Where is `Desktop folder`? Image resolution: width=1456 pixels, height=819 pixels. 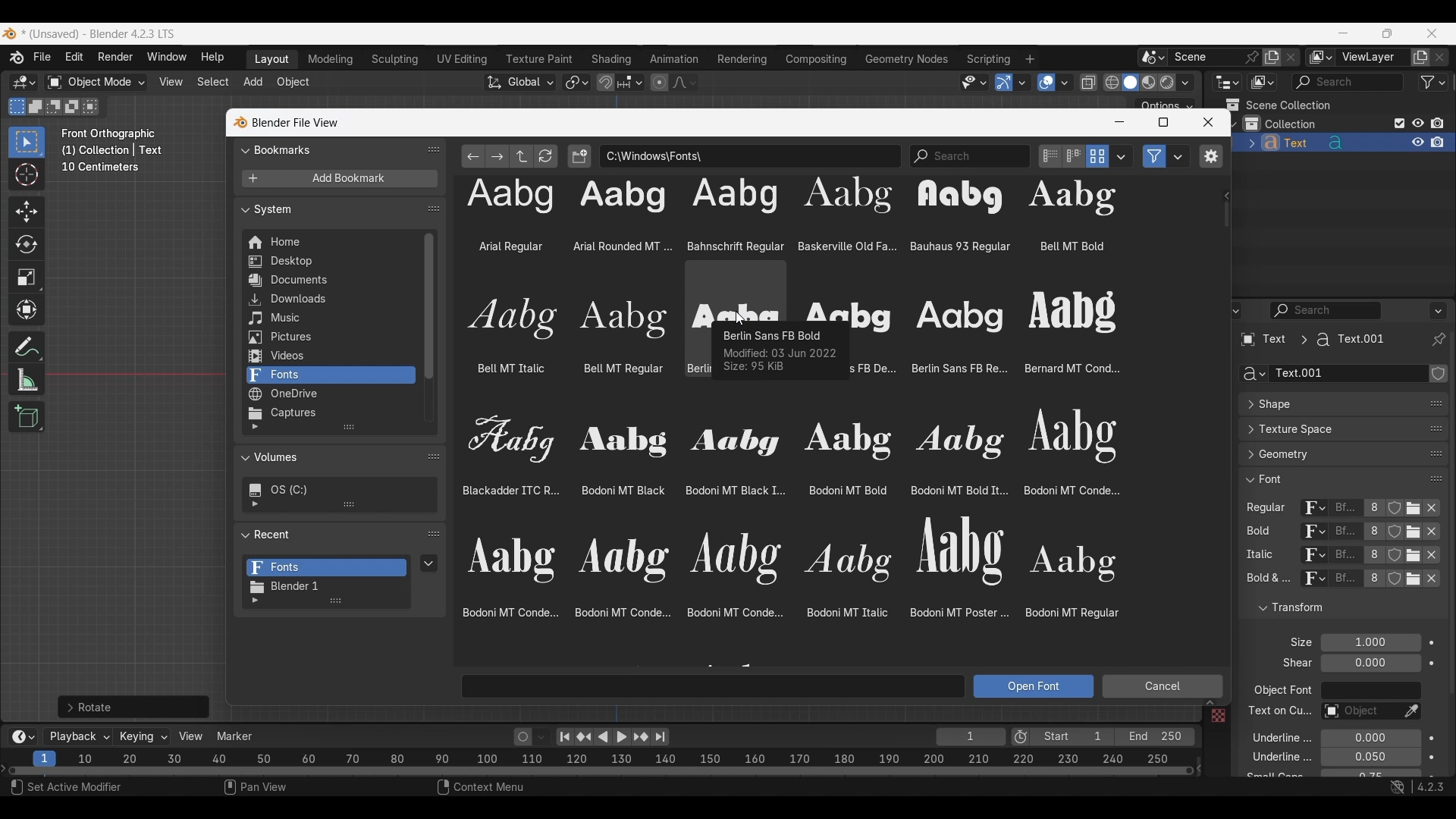 Desktop folder is located at coordinates (329, 262).